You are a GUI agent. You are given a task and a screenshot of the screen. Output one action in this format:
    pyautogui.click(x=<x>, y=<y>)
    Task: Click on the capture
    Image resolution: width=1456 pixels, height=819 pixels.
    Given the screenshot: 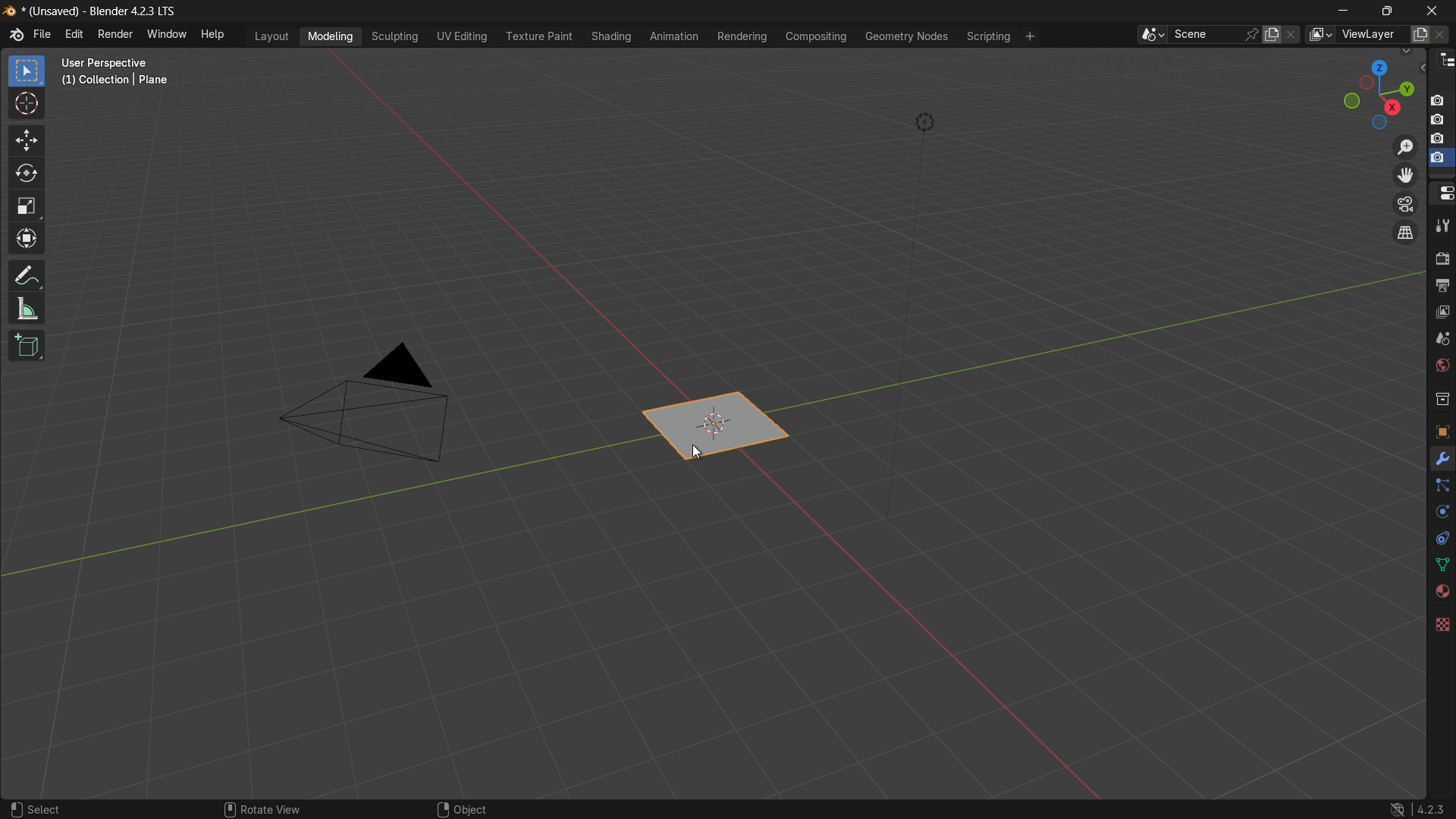 What is the action you would take?
    pyautogui.click(x=1441, y=97)
    